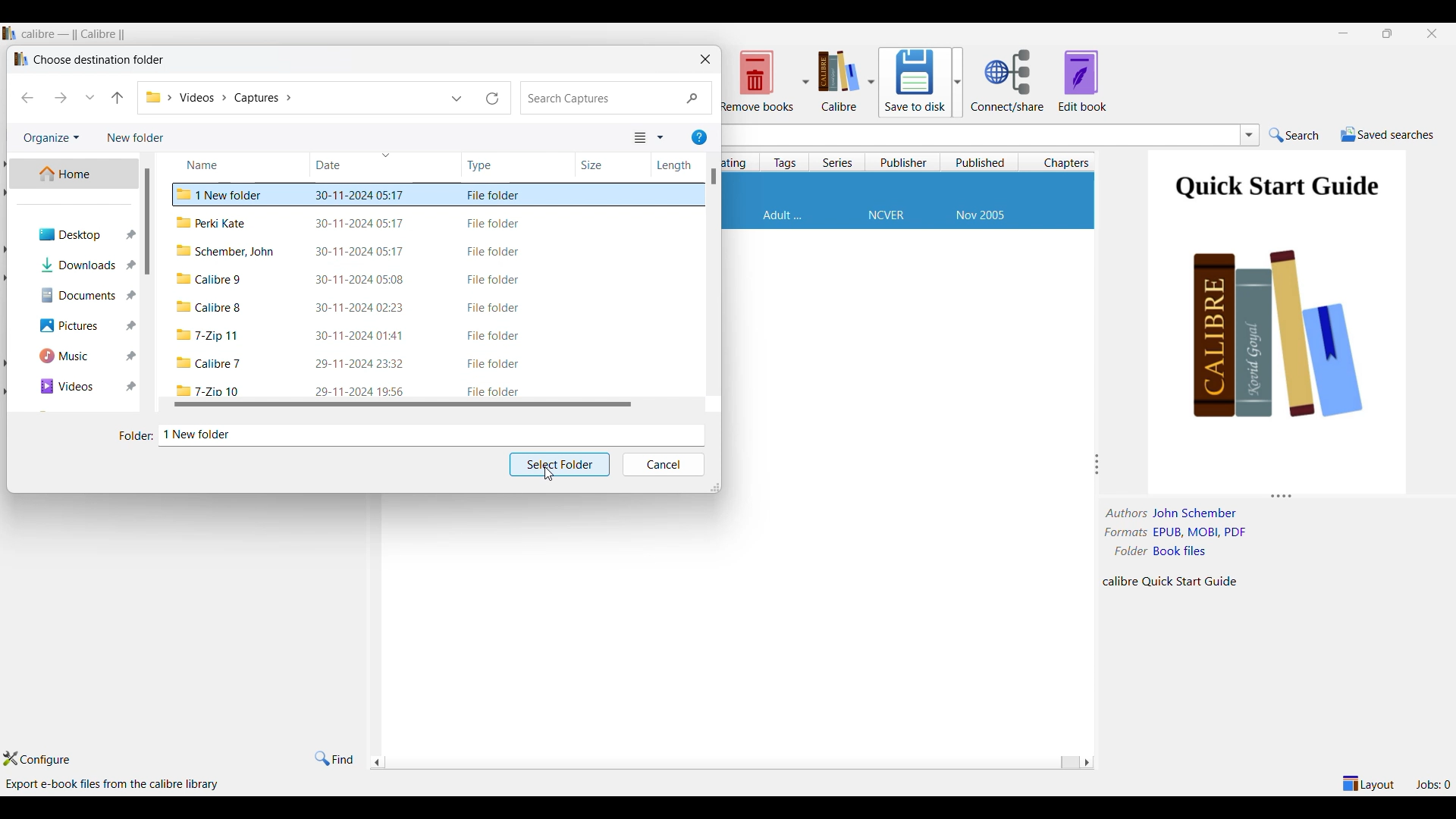  I want to click on date , so click(359, 194).